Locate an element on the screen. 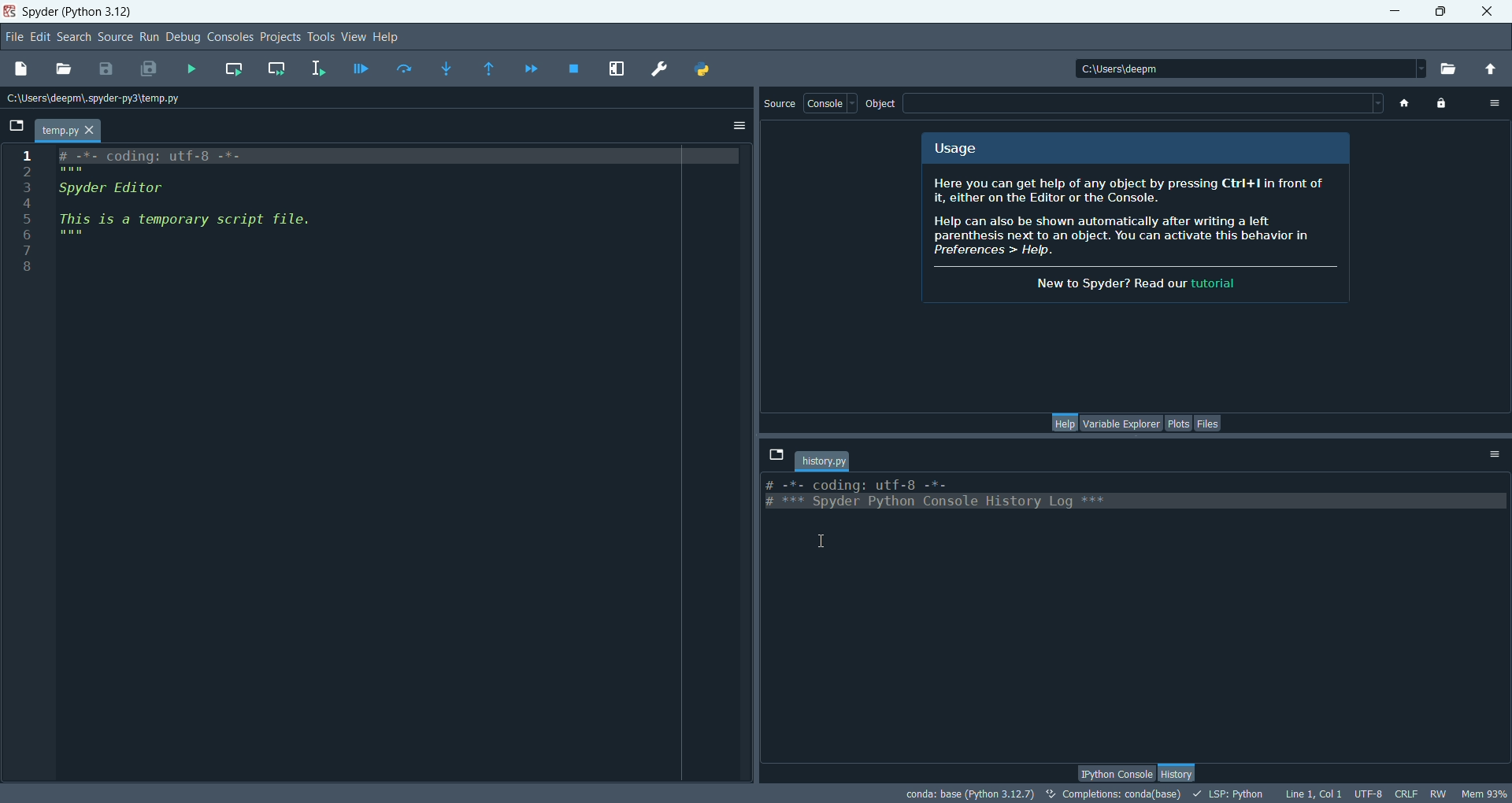 This screenshot has height=803, width=1512. open is located at coordinates (62, 68).